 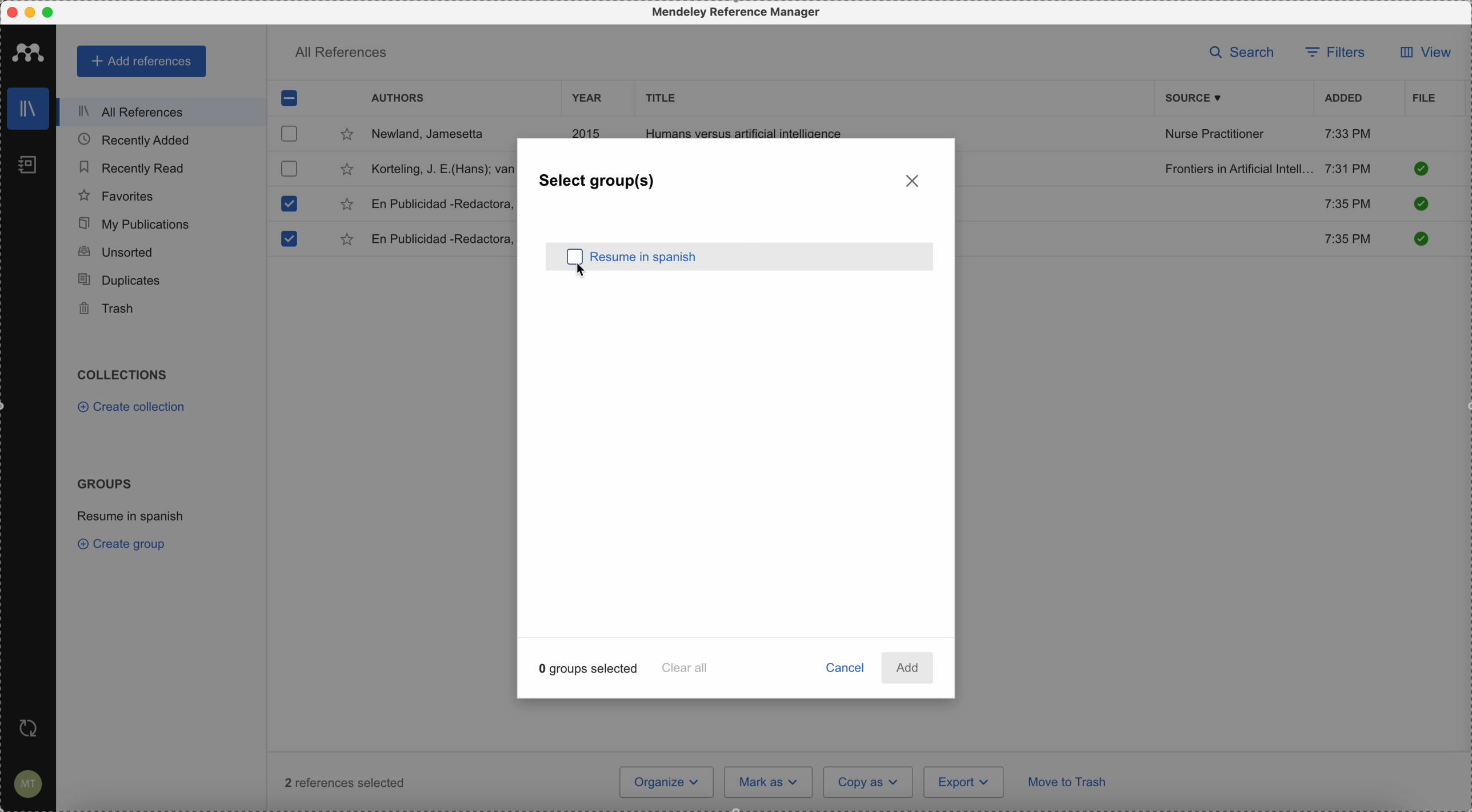 What do you see at coordinates (287, 168) in the screenshot?
I see `checkbox` at bounding box center [287, 168].